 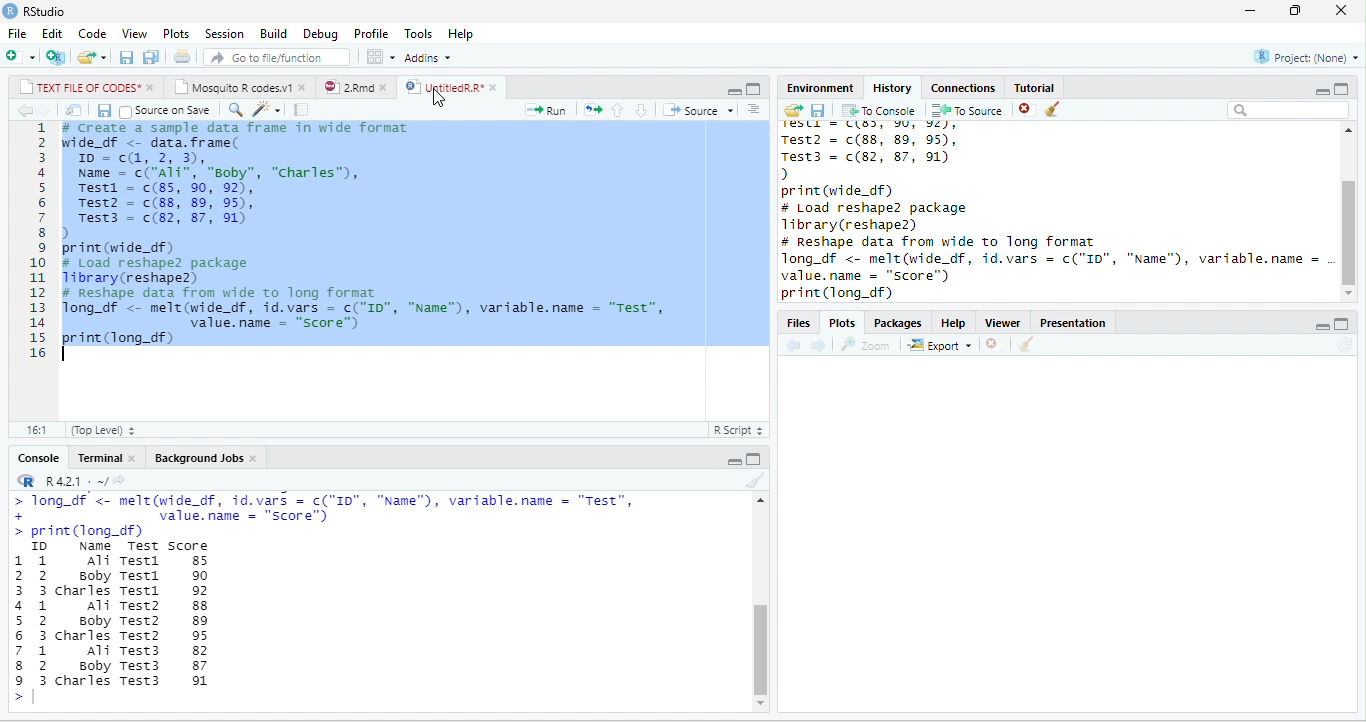 I want to click on close, so click(x=387, y=87).